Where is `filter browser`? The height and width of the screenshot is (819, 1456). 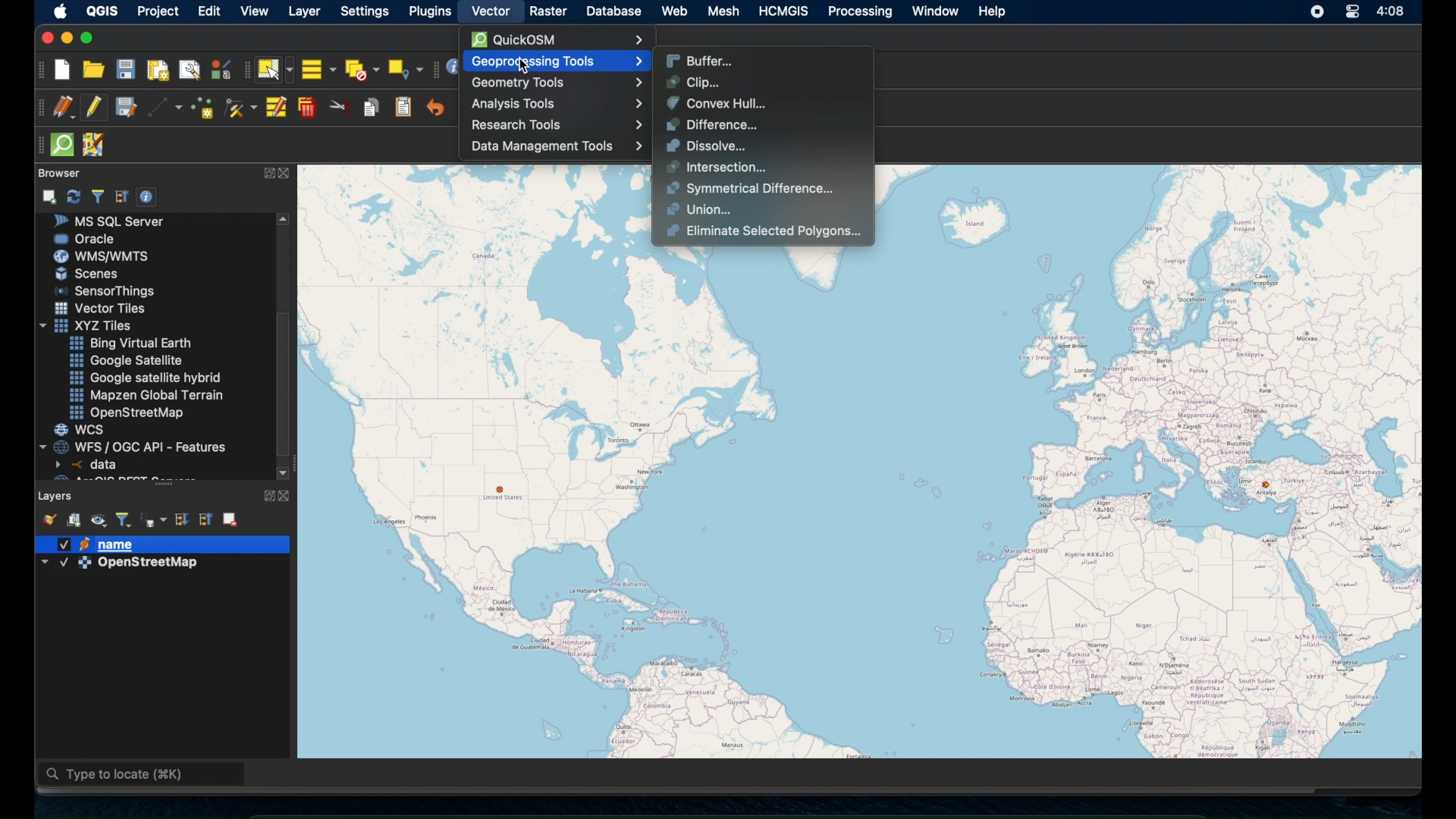
filter browser is located at coordinates (97, 196).